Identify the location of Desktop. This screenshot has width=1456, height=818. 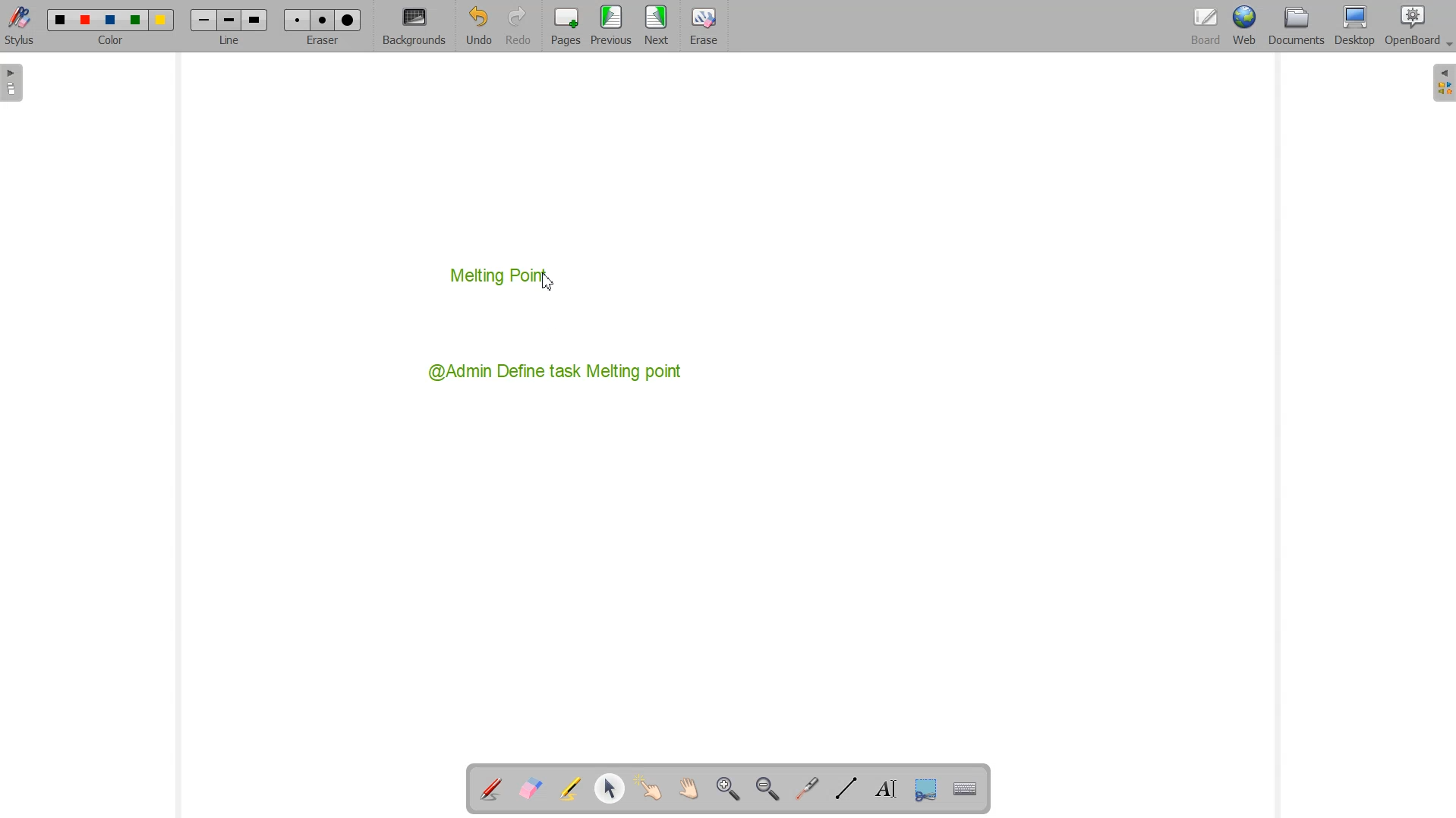
(1356, 27).